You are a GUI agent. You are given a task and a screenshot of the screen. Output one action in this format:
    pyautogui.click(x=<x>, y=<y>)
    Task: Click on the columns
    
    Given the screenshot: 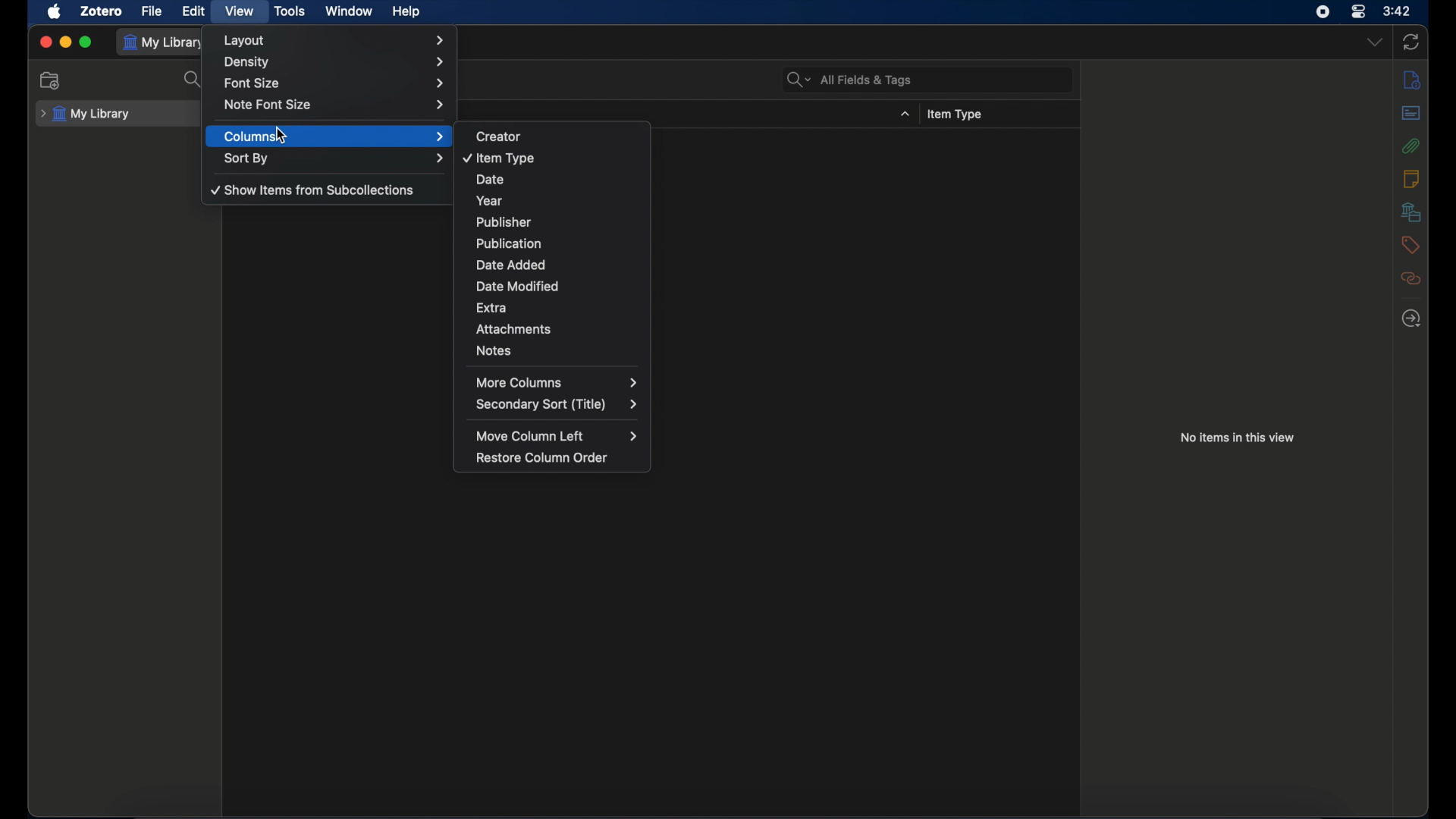 What is the action you would take?
    pyautogui.click(x=333, y=136)
    